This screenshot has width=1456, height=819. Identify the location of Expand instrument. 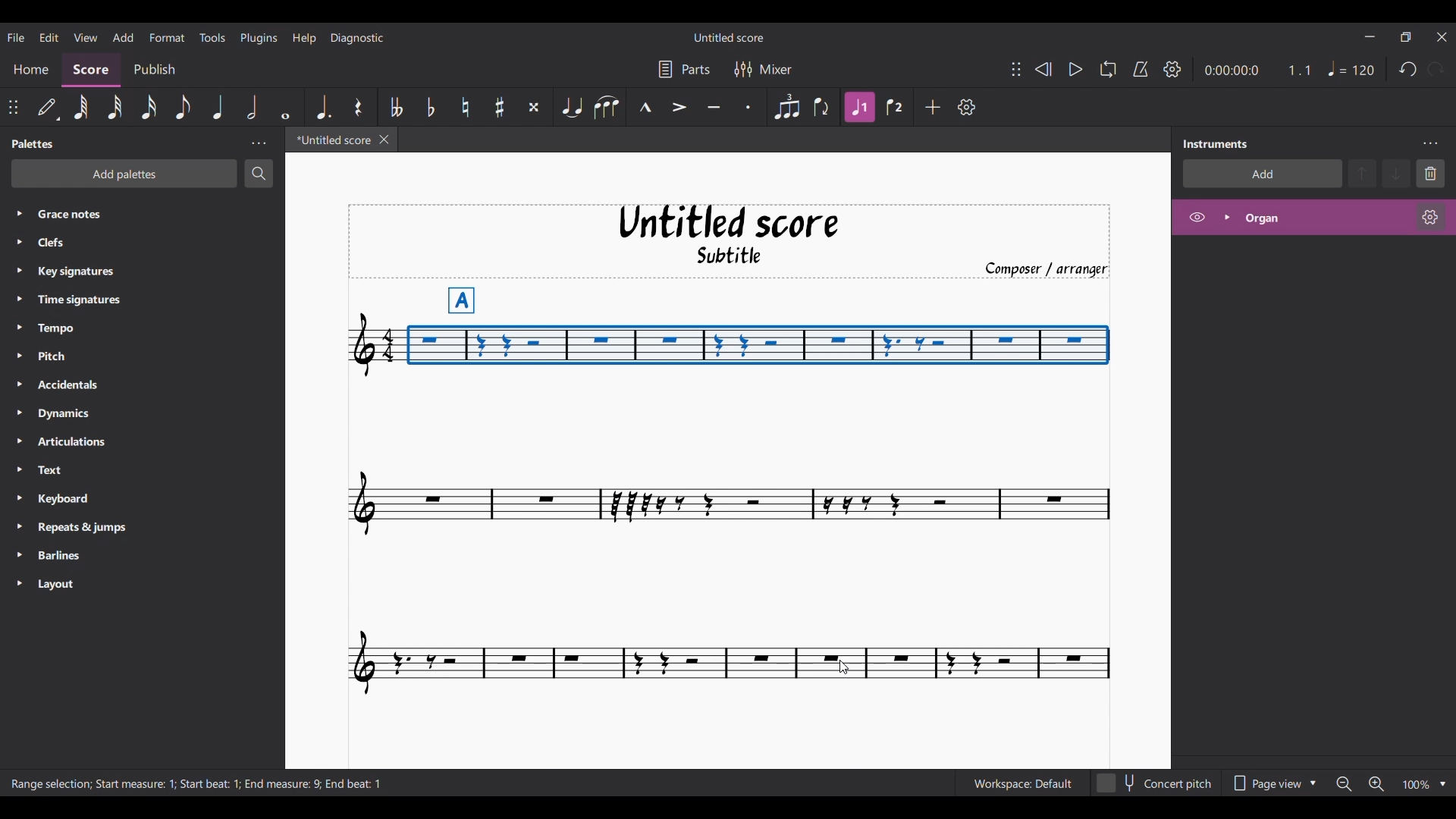
(1227, 218).